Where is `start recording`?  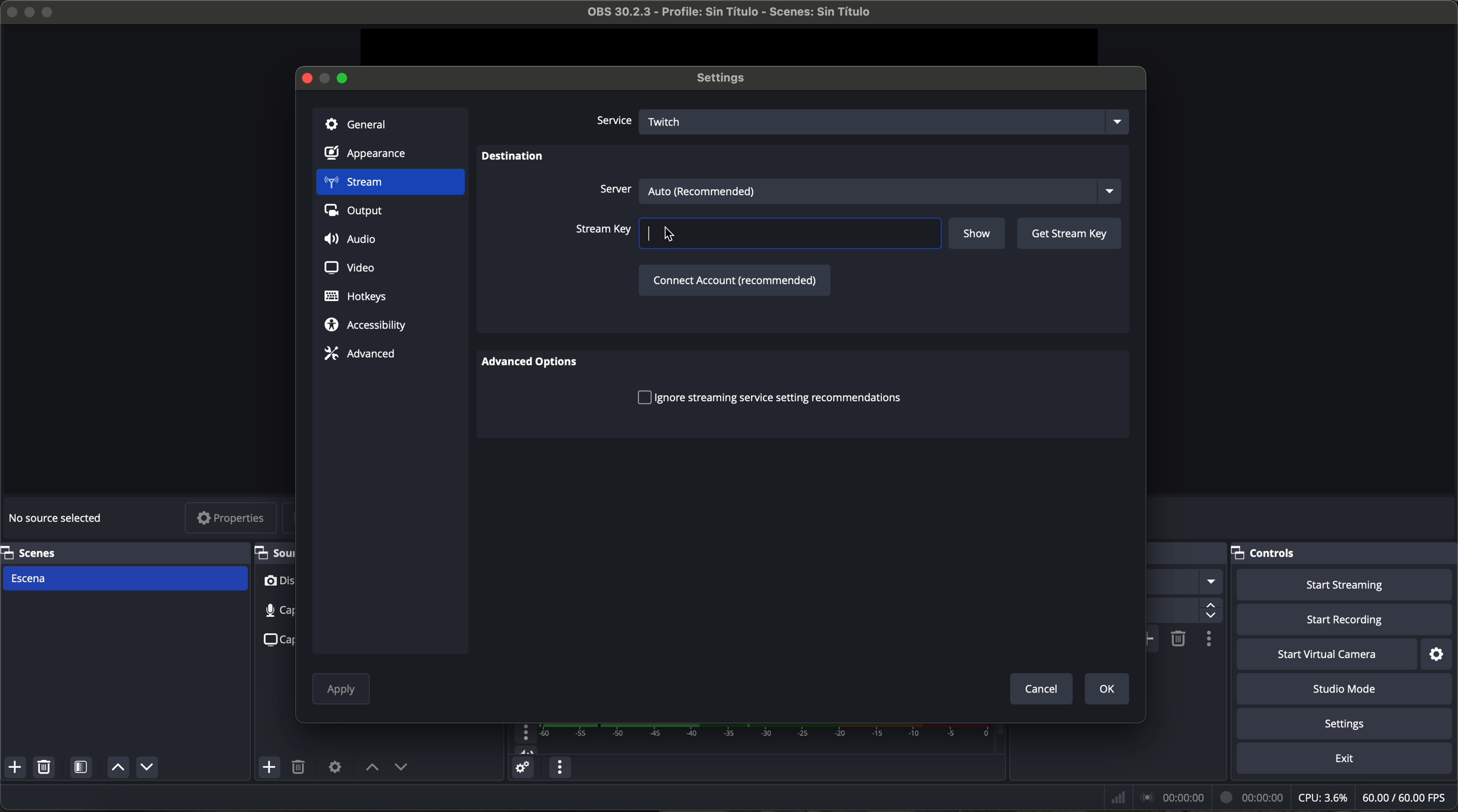
start recording is located at coordinates (1346, 621).